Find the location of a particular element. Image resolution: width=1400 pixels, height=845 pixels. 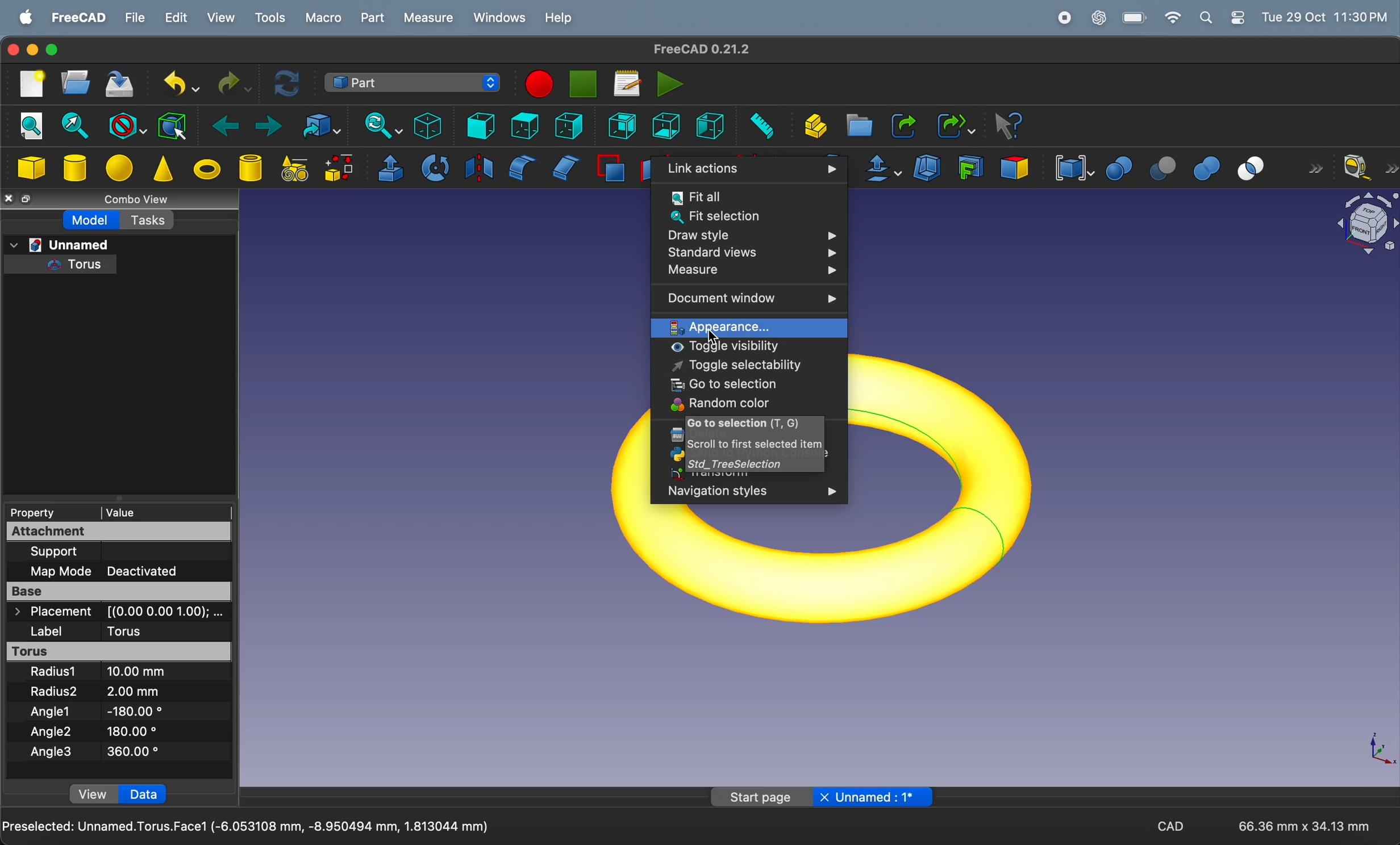

part is located at coordinates (373, 18).